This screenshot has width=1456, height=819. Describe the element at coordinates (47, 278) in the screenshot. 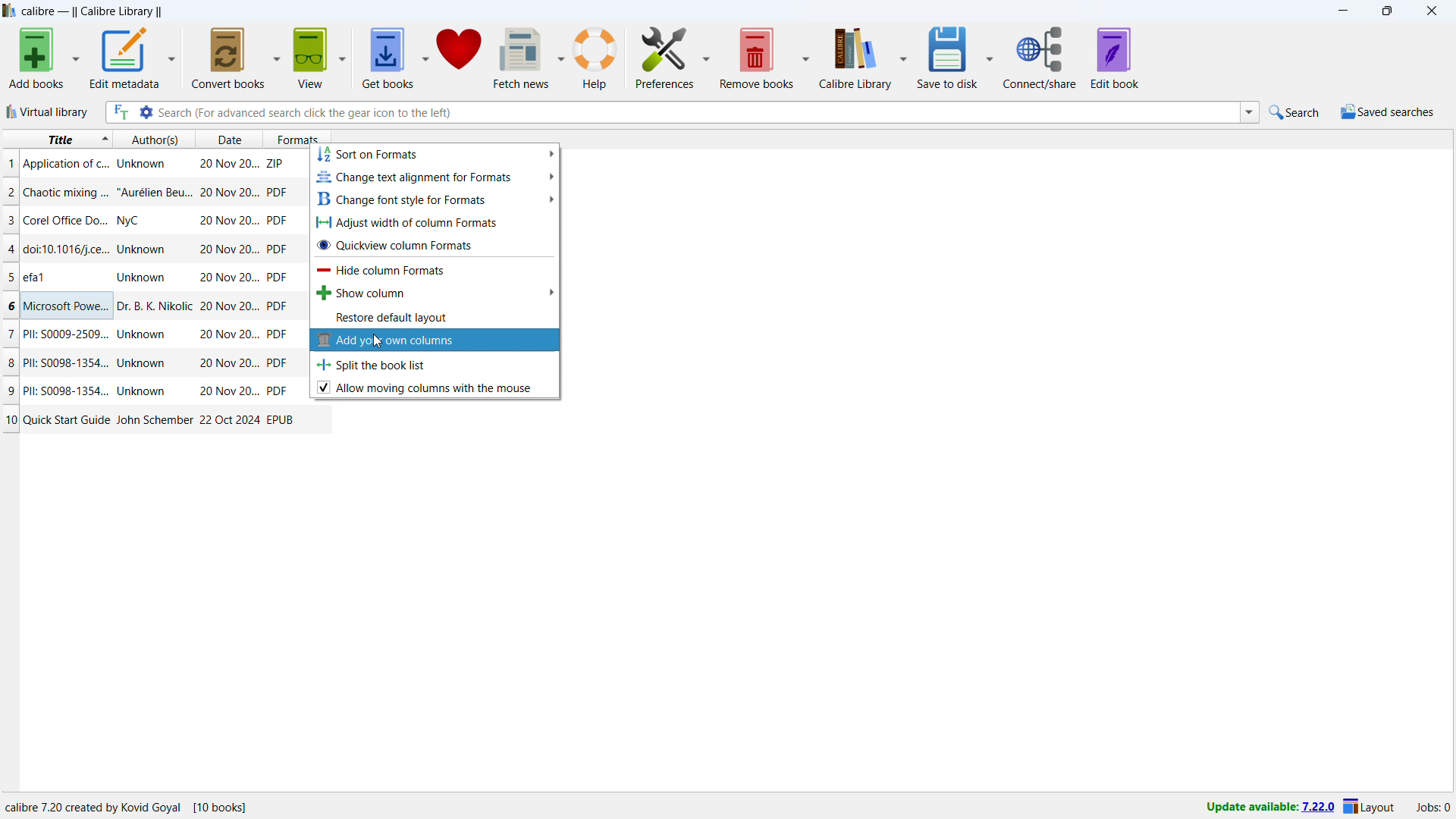

I see `title` at that location.